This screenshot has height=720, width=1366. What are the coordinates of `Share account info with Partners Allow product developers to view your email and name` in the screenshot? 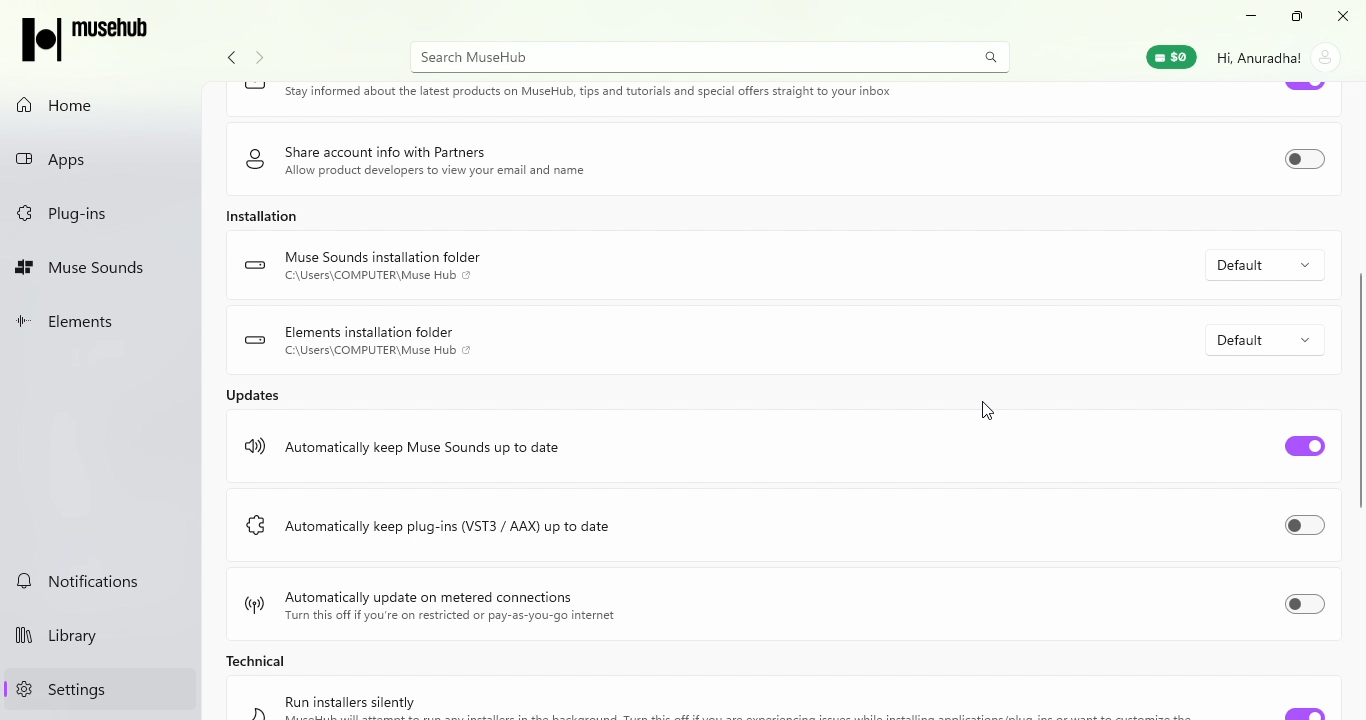 It's located at (441, 163).